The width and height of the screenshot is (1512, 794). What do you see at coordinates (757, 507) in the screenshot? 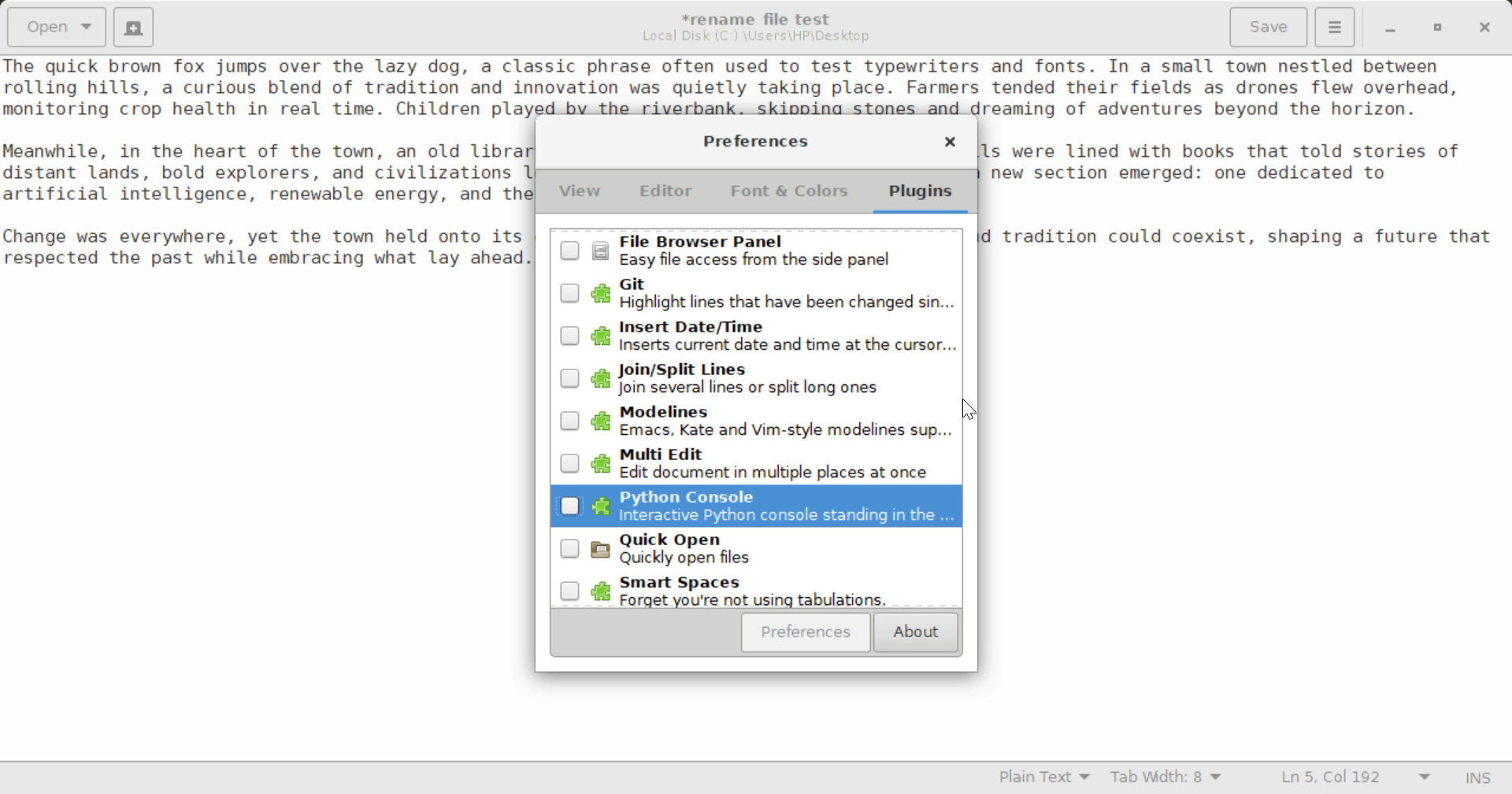
I see `Down Arrow to Python Console Plugin Button Unselected` at bounding box center [757, 507].